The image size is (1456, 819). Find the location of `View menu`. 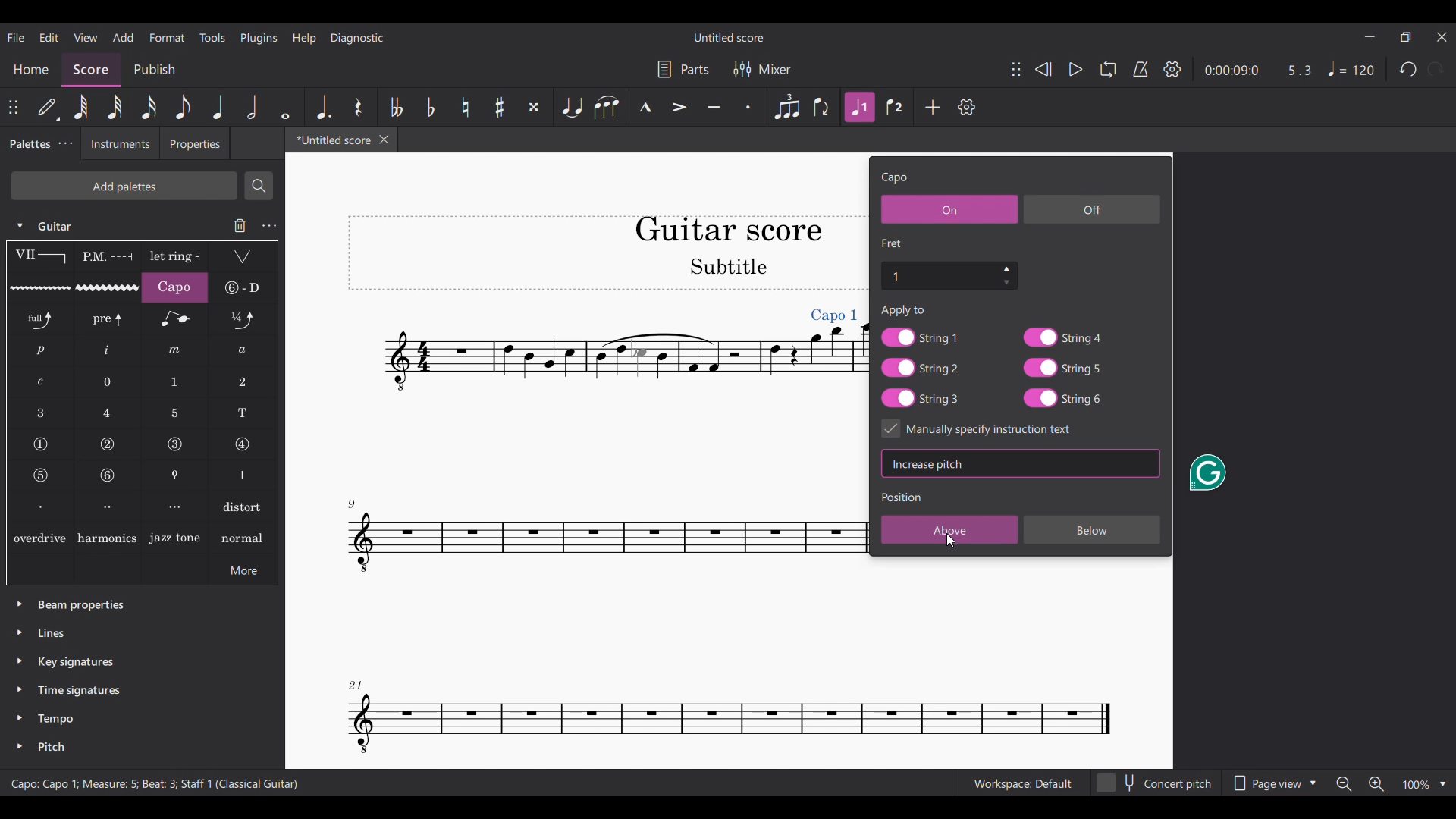

View menu is located at coordinates (86, 38).